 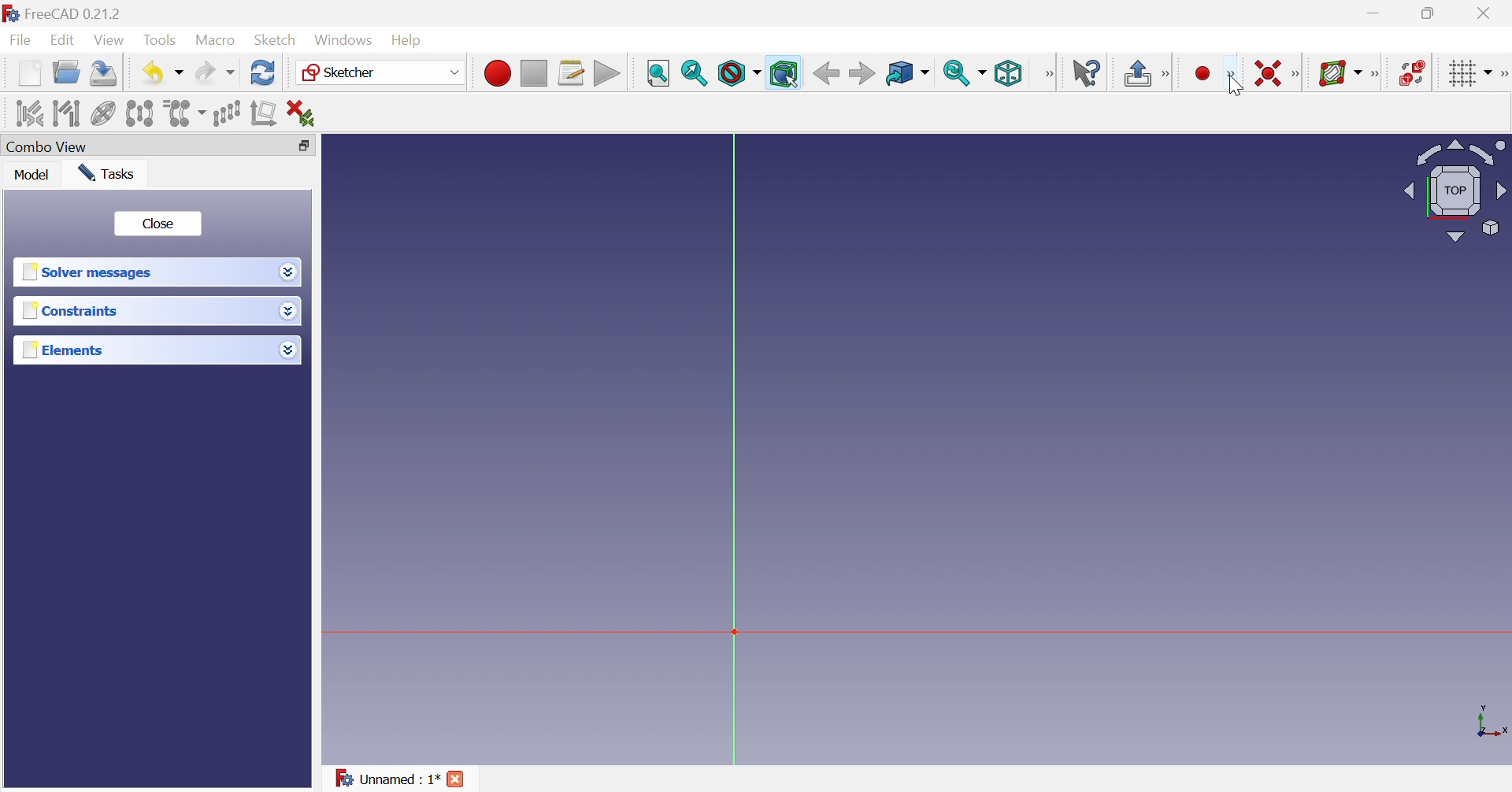 I want to click on Select associated geometry, so click(x=67, y=113).